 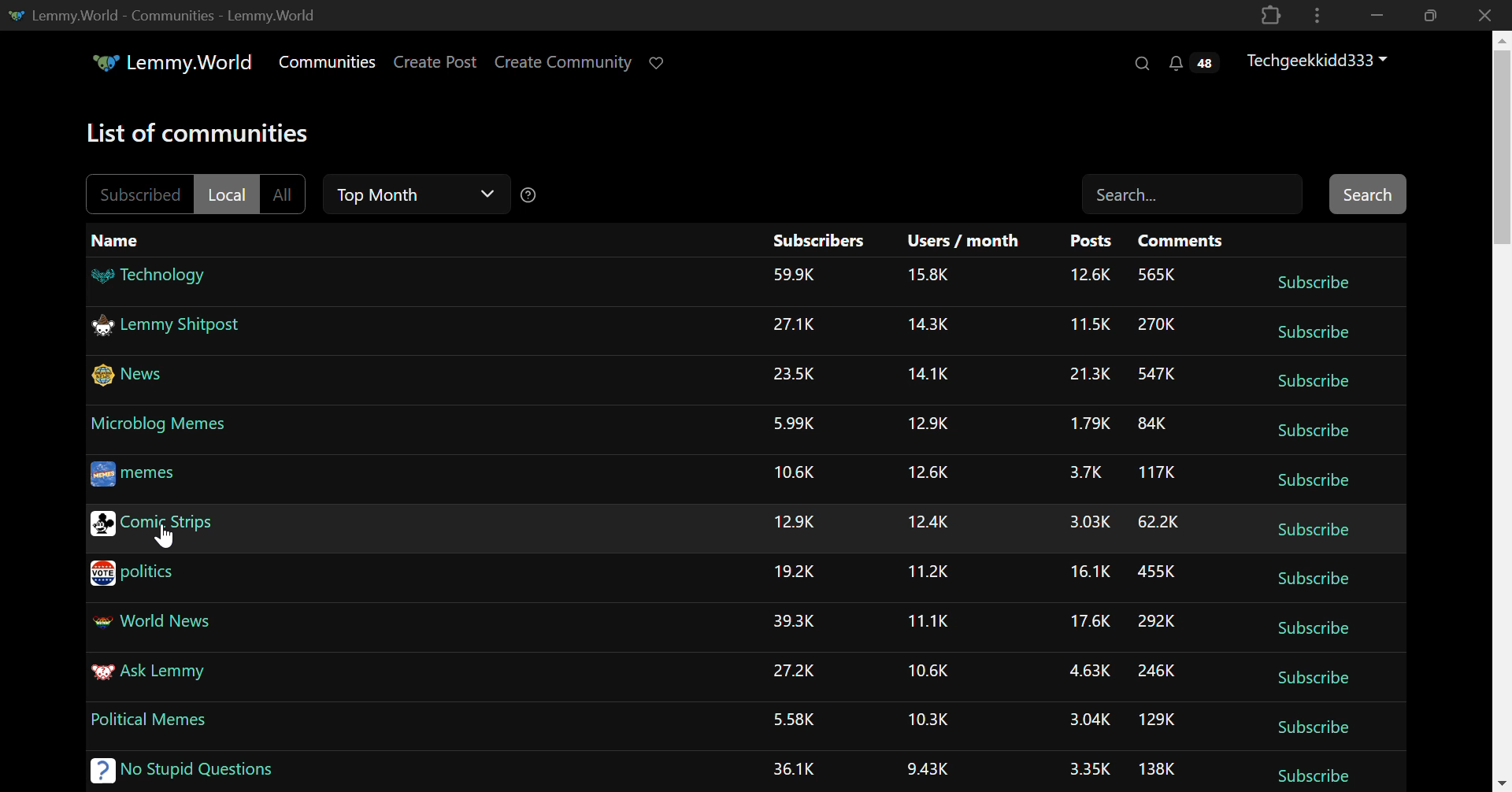 What do you see at coordinates (1091, 425) in the screenshot?
I see `1.79K` at bounding box center [1091, 425].